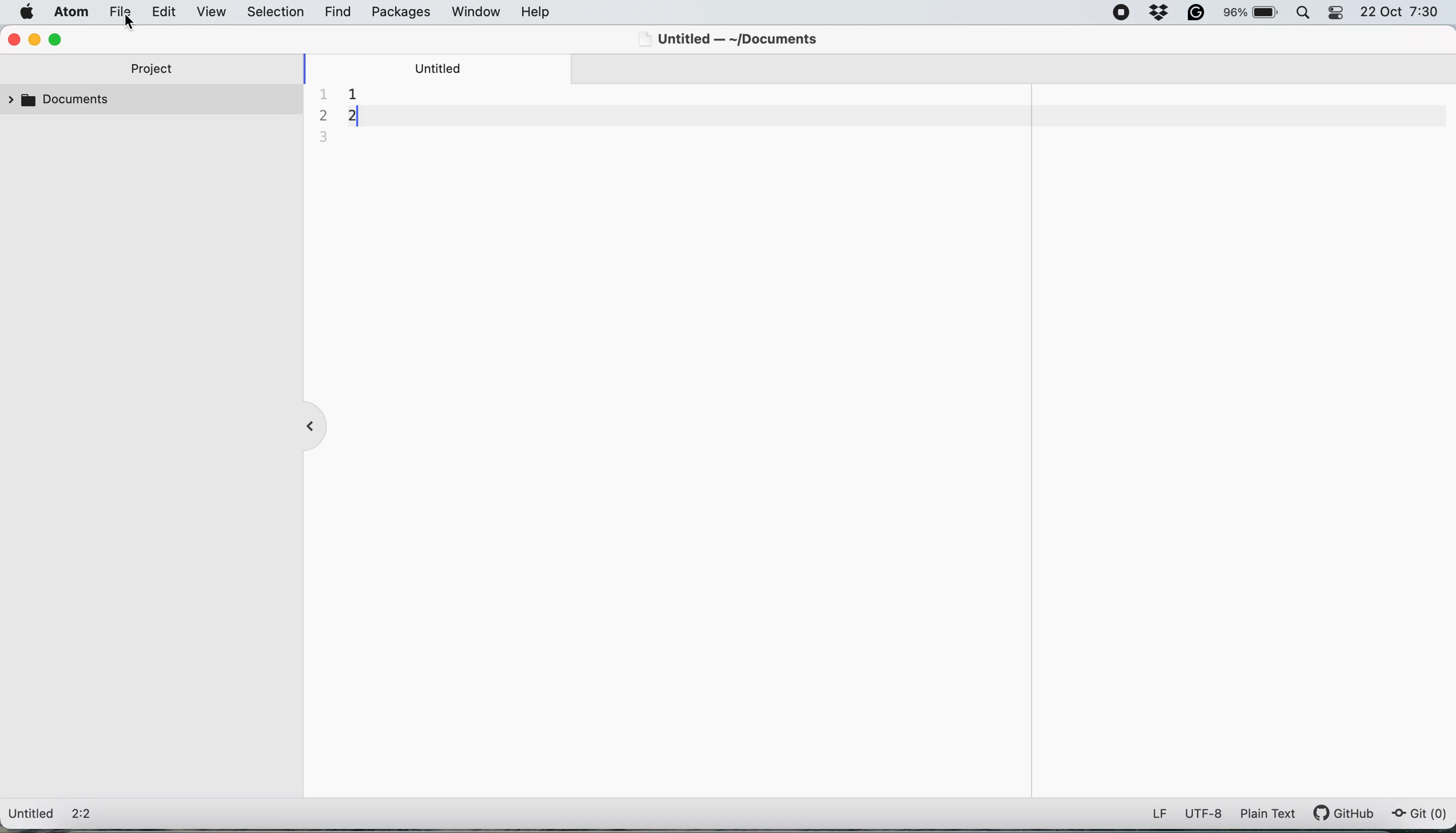 This screenshot has width=1456, height=833. What do you see at coordinates (153, 70) in the screenshot?
I see `project` at bounding box center [153, 70].